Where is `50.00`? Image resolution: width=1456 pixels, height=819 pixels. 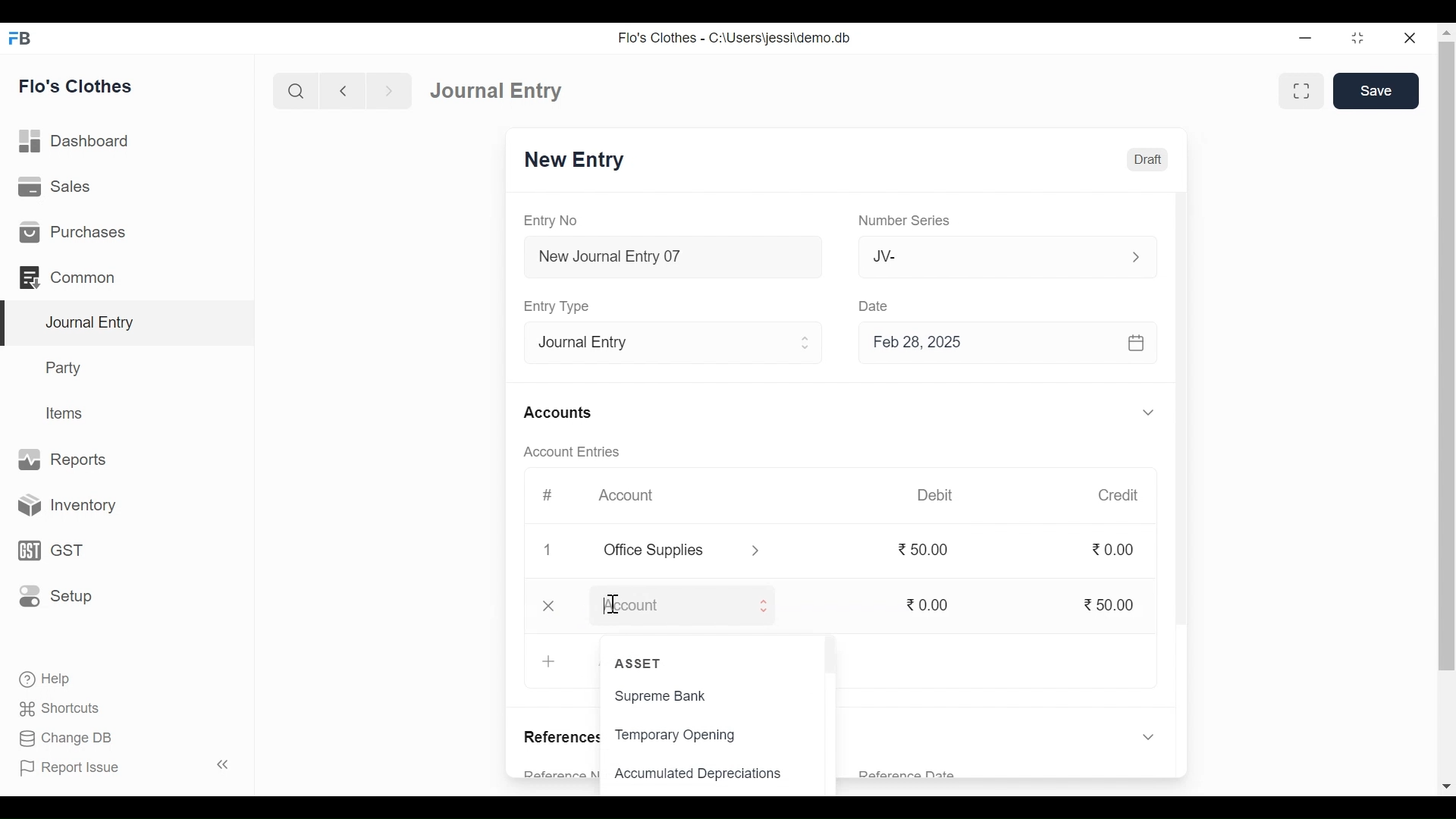
50.00 is located at coordinates (1112, 606).